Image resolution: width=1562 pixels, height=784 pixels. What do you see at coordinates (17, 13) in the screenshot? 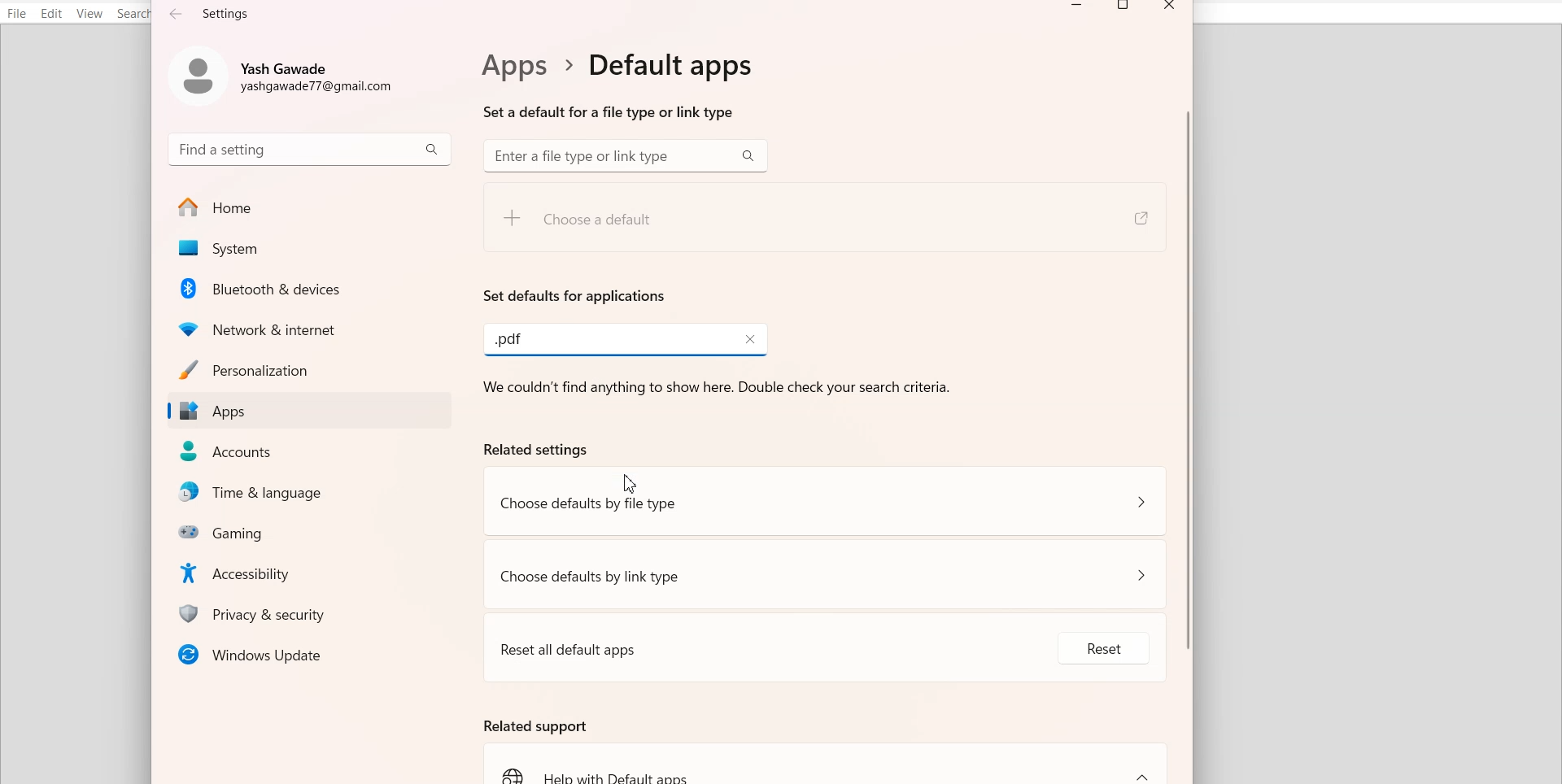
I see `File` at bounding box center [17, 13].